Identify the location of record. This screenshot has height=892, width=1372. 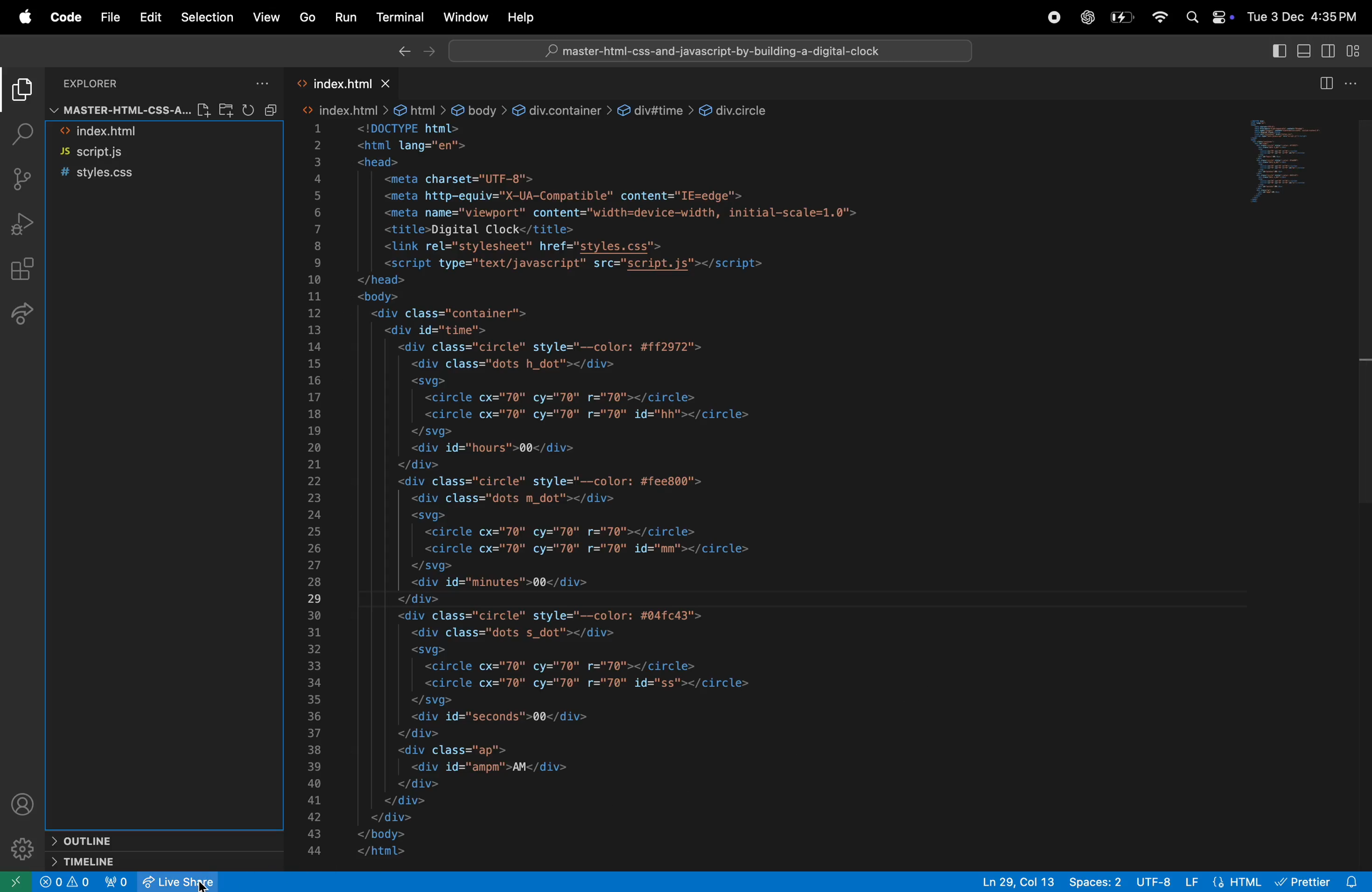
(1053, 17).